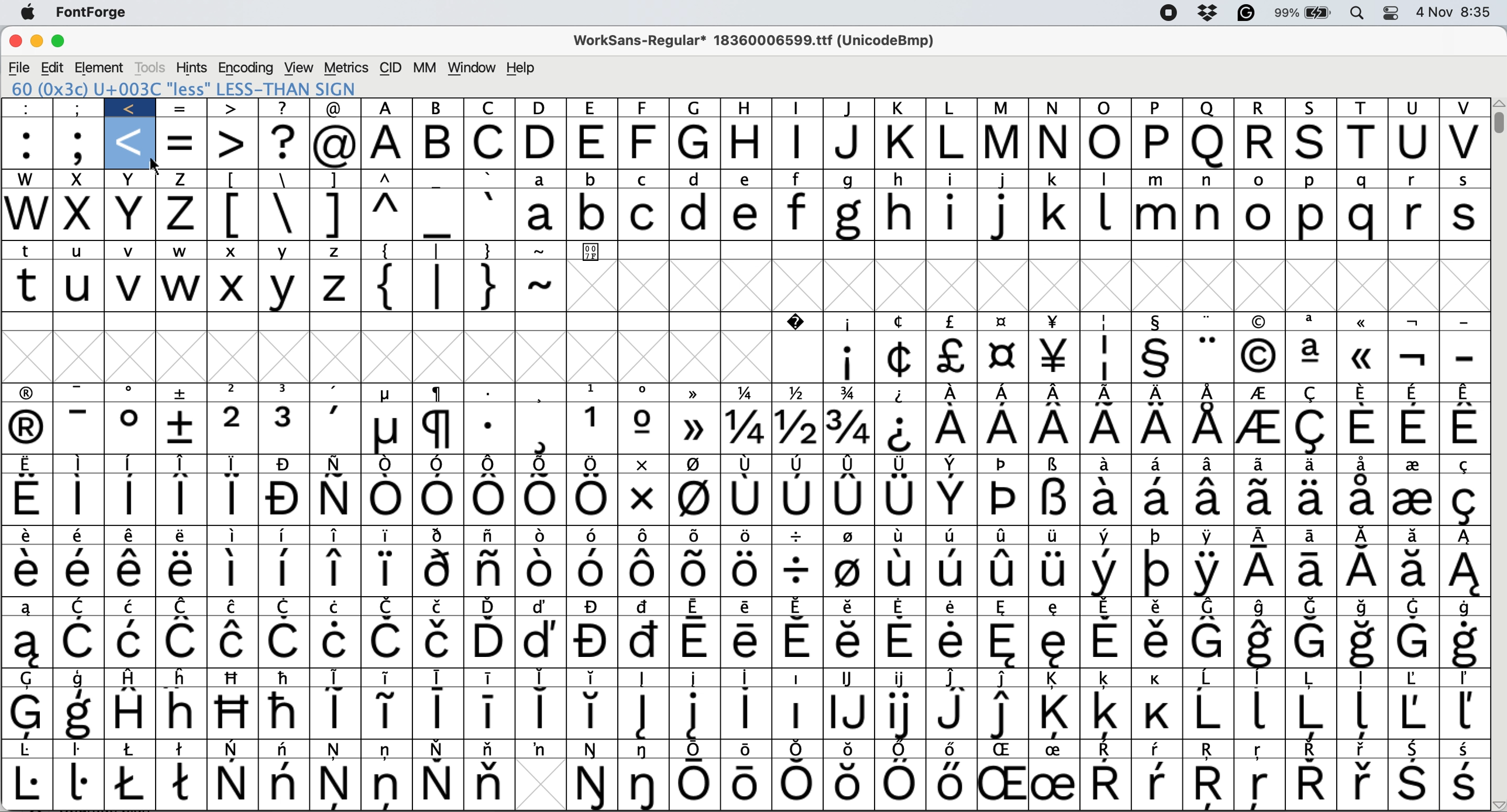 This screenshot has height=812, width=1507. I want to click on Symbol, so click(798, 678).